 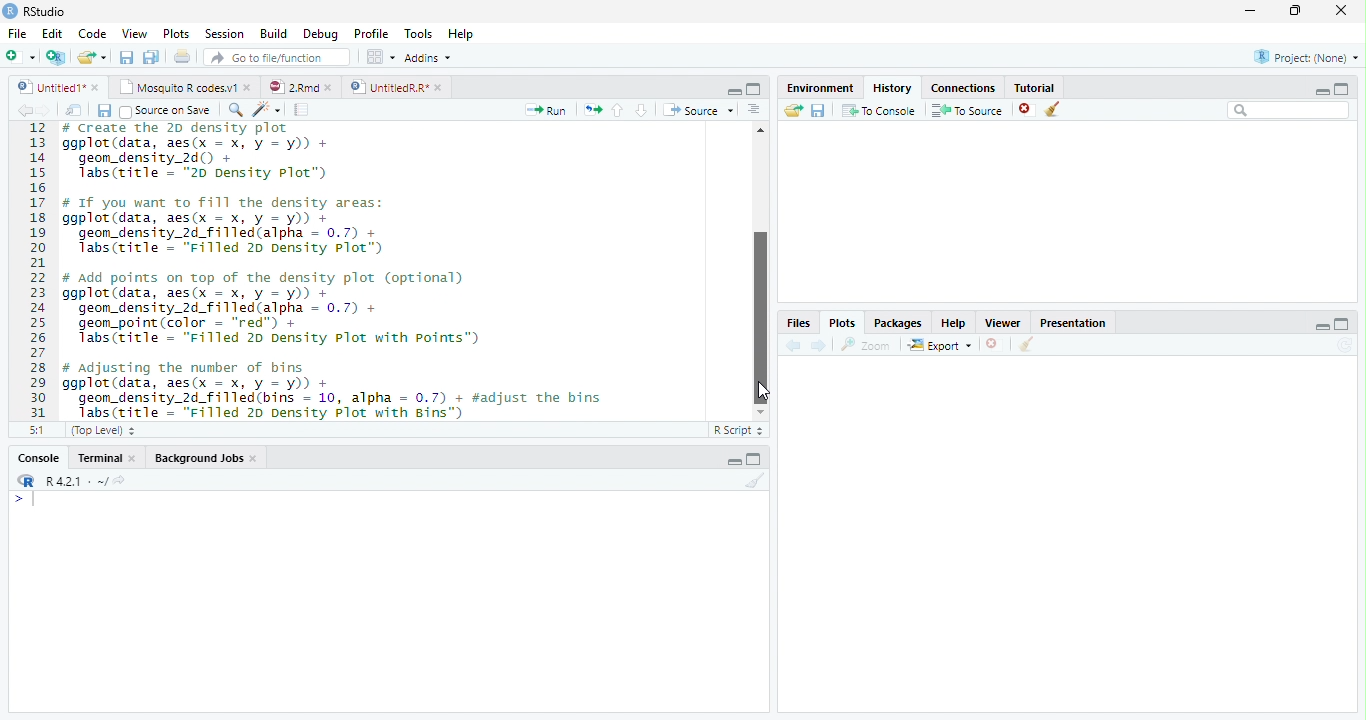 I want to click on print current file, so click(x=182, y=56).